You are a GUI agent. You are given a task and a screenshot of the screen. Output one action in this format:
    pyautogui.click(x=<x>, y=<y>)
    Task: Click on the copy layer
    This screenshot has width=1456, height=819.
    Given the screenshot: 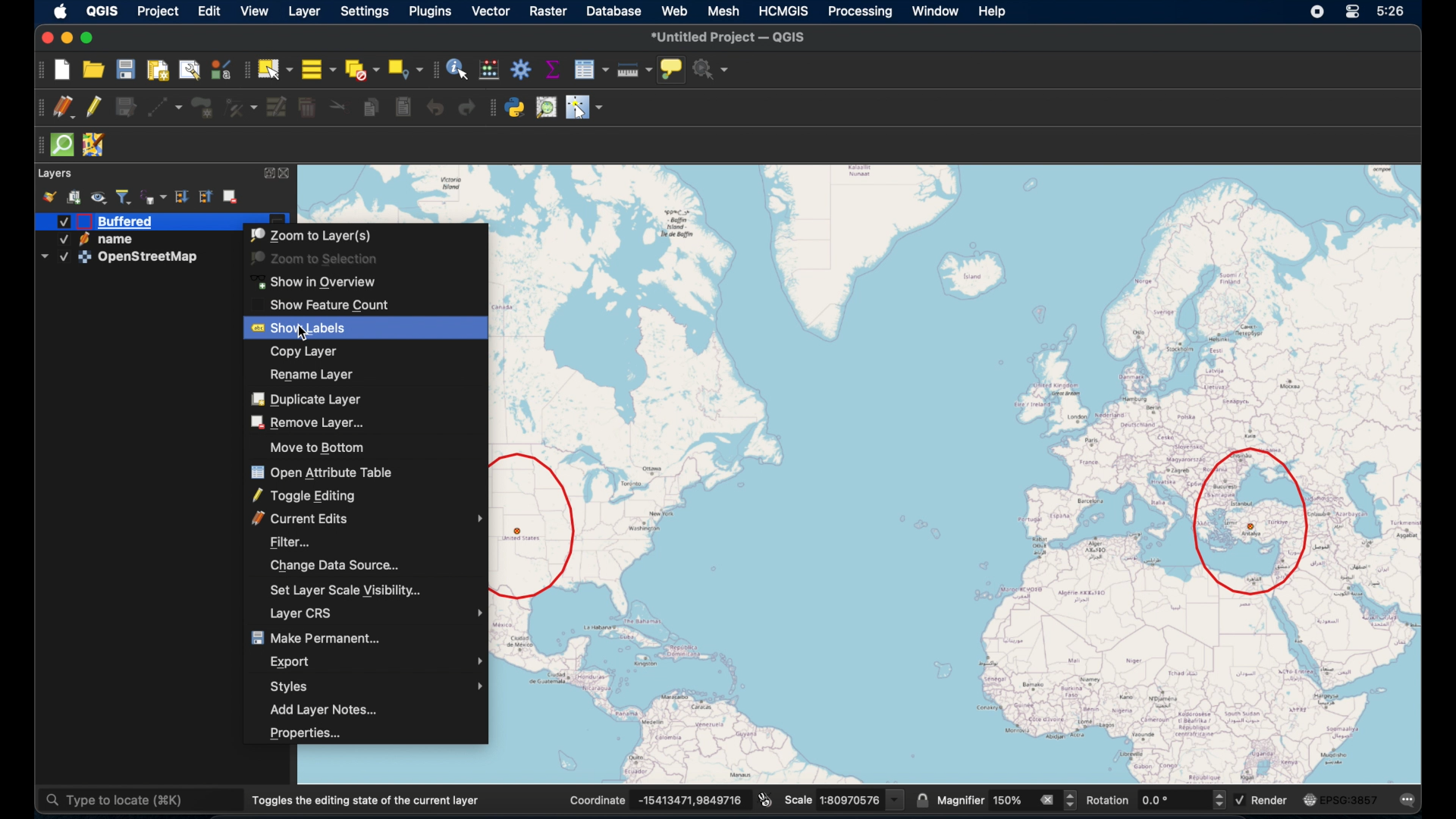 What is the action you would take?
    pyautogui.click(x=309, y=351)
    